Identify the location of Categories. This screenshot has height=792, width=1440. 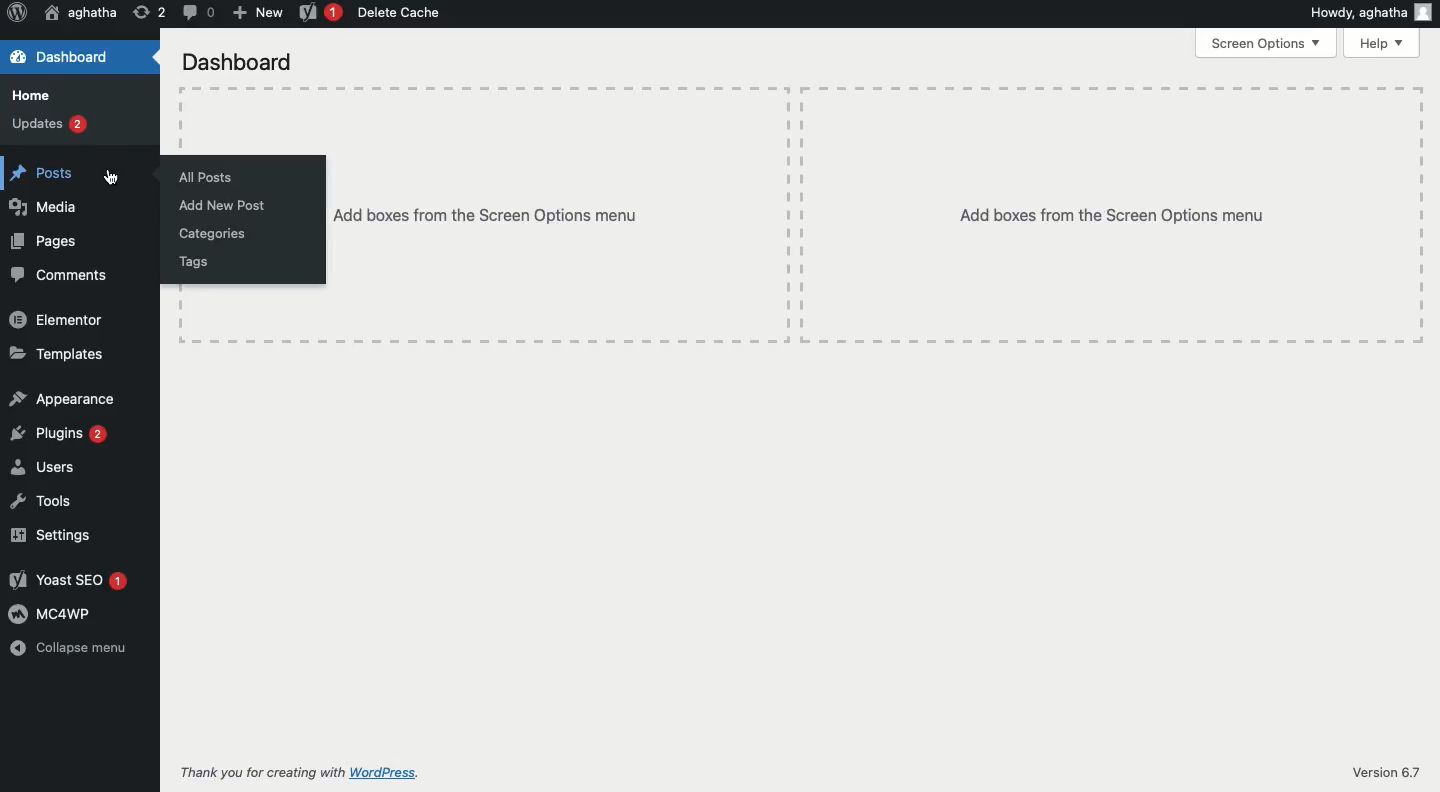
(218, 234).